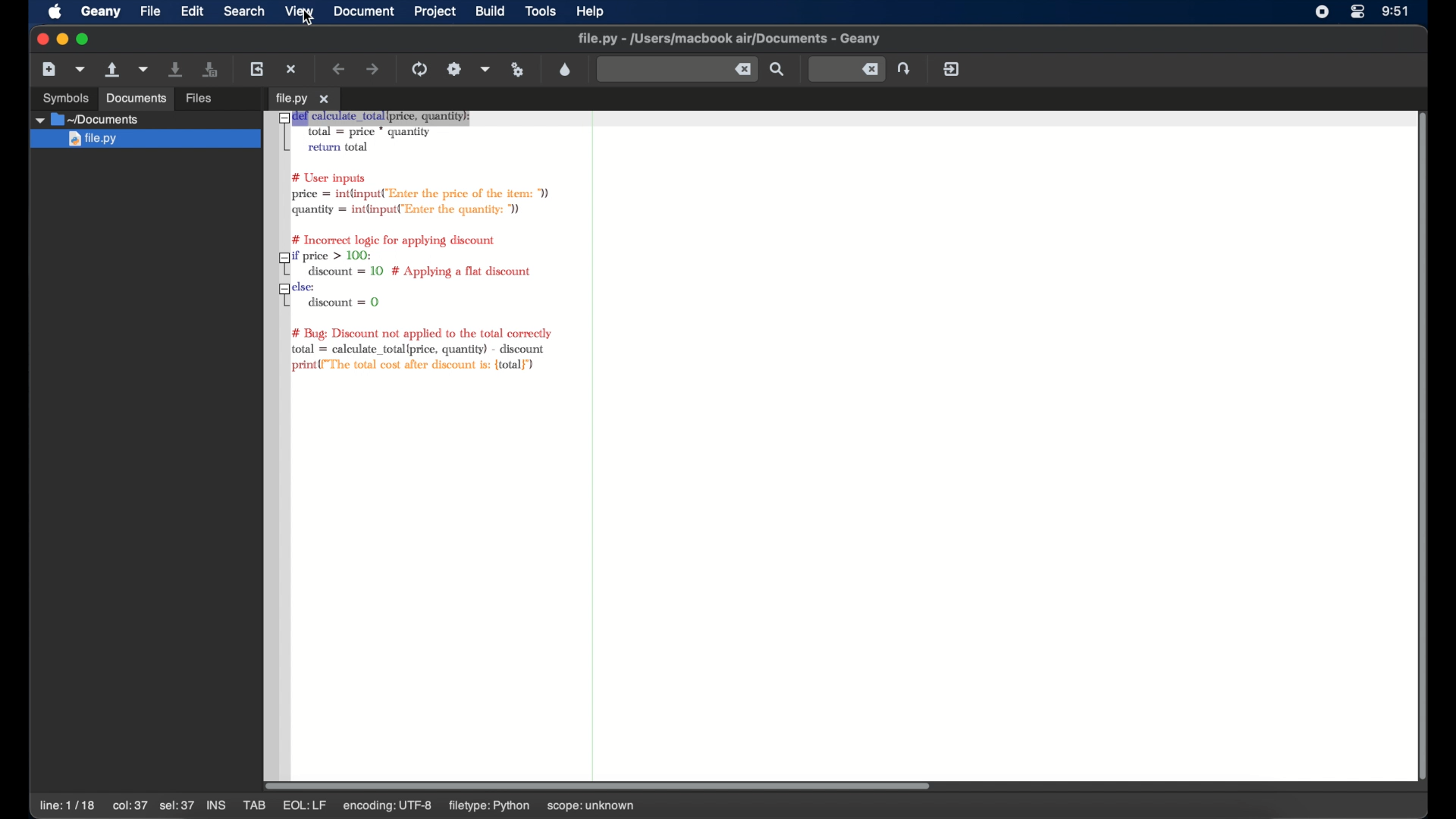 This screenshot has height=819, width=1456. What do you see at coordinates (435, 12) in the screenshot?
I see `project` at bounding box center [435, 12].